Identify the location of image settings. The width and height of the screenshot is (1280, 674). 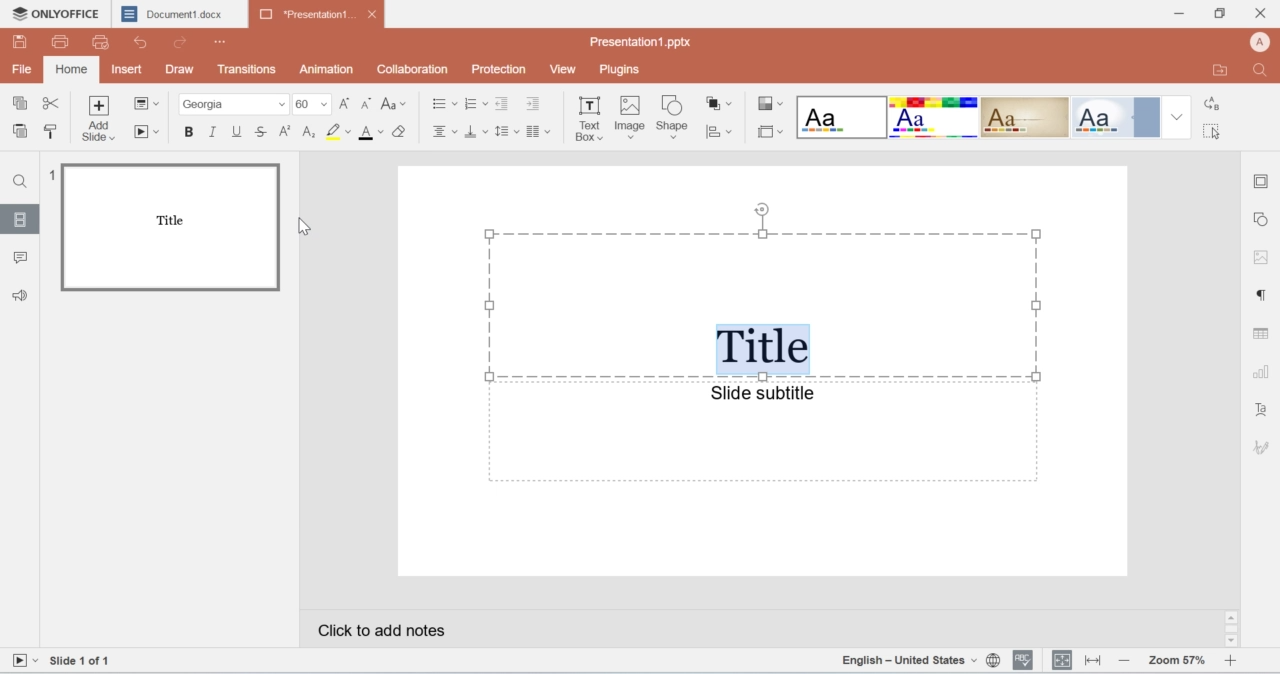
(1258, 256).